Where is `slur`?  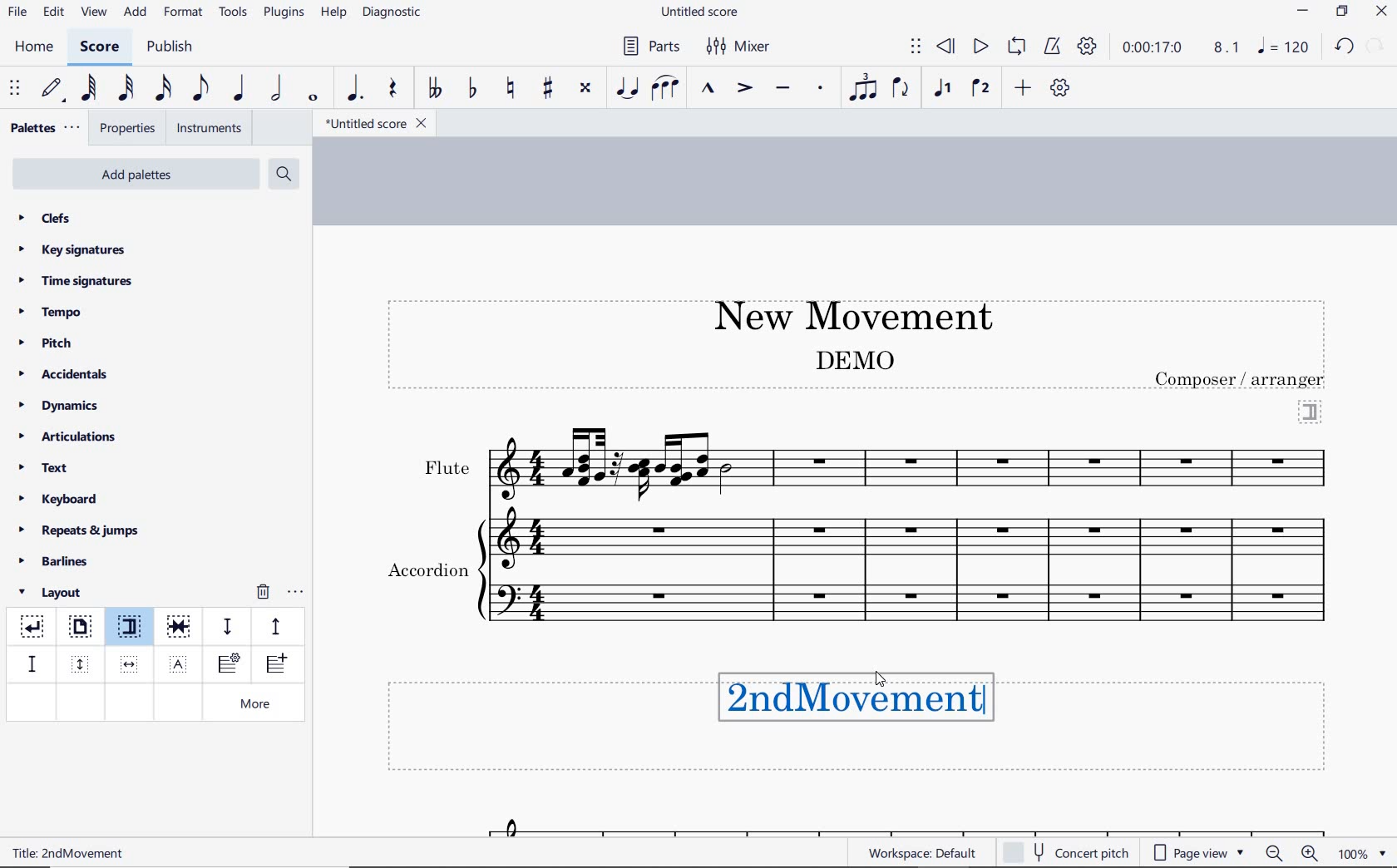 slur is located at coordinates (666, 89).